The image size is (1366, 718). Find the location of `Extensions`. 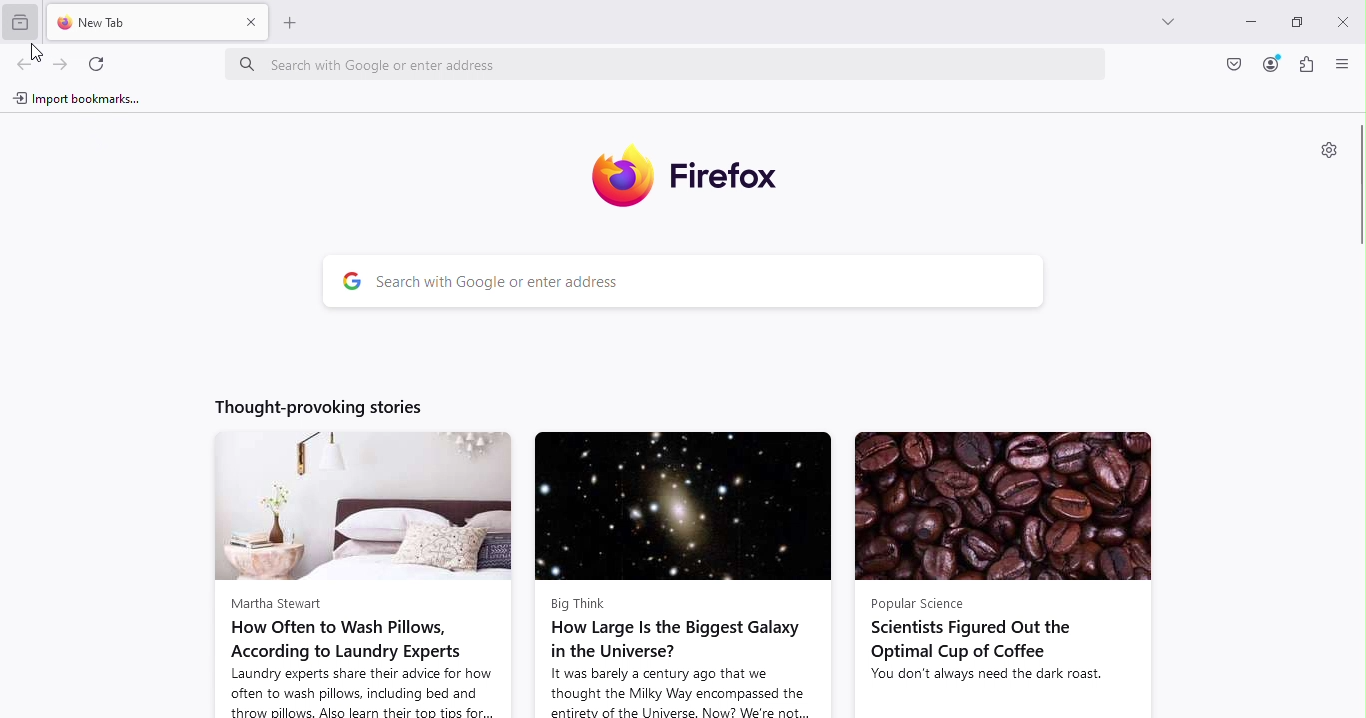

Extensions is located at coordinates (1303, 64).